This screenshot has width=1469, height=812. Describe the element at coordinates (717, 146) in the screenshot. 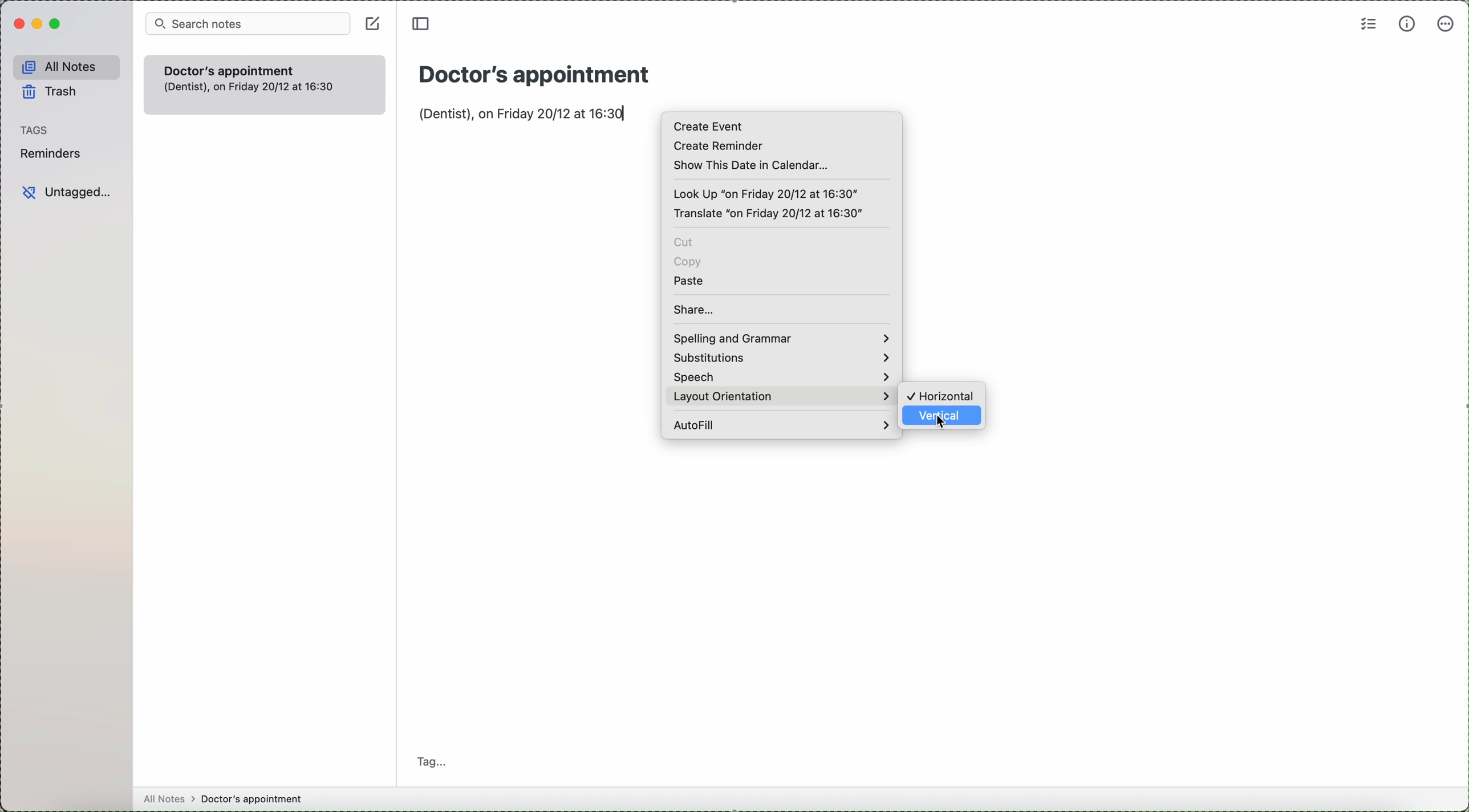

I see `create reminder` at that location.